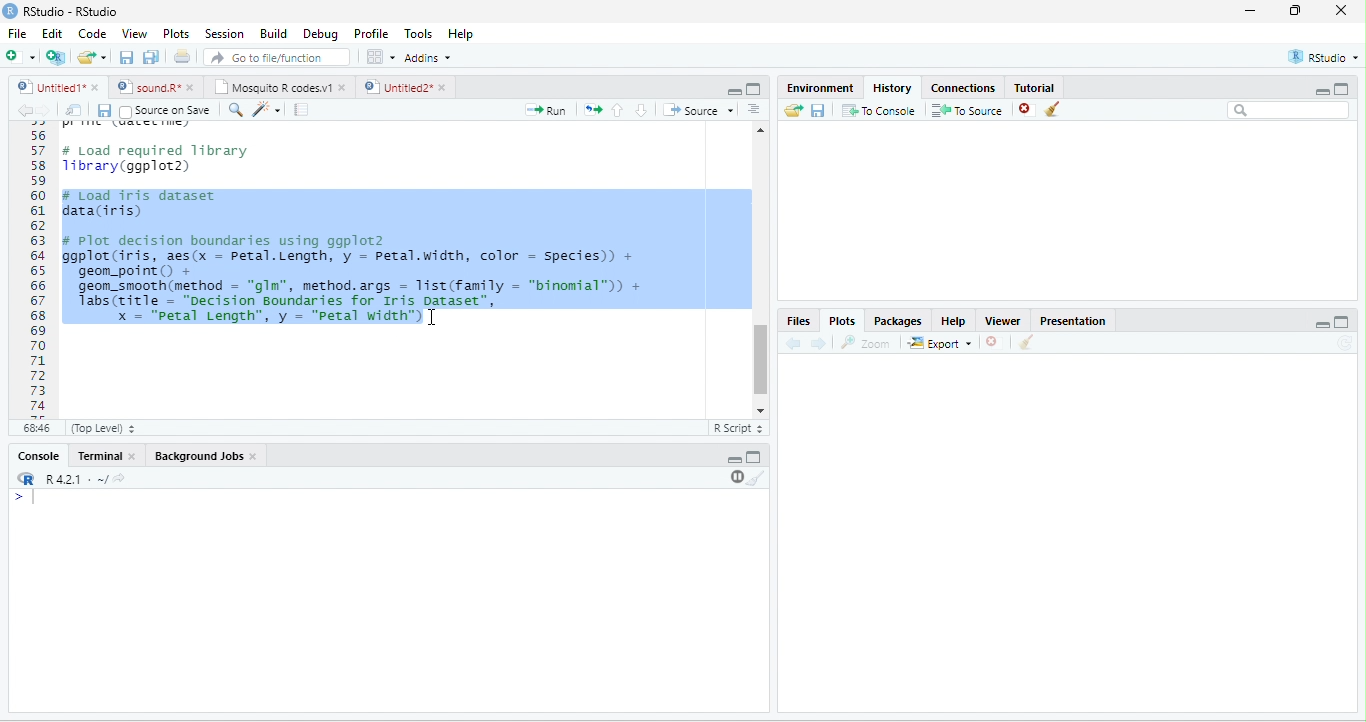 This screenshot has width=1366, height=722. What do you see at coordinates (545, 110) in the screenshot?
I see `Run file` at bounding box center [545, 110].